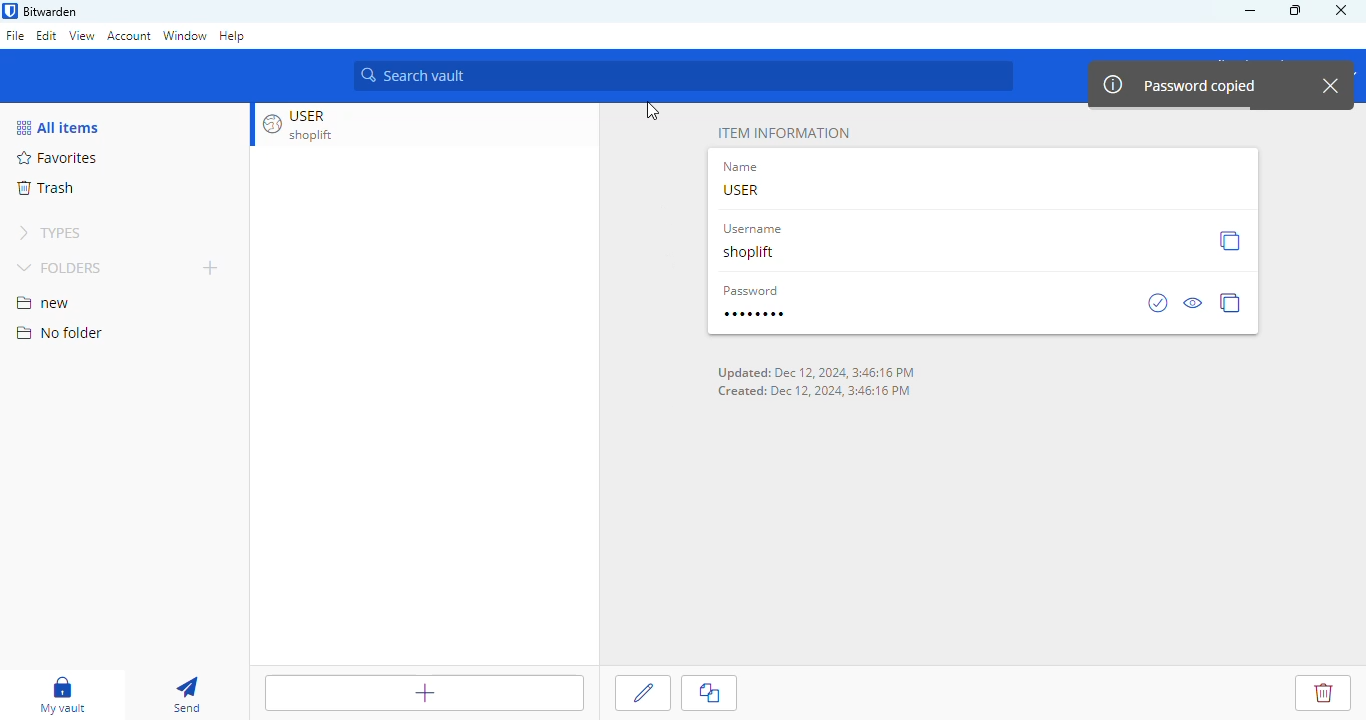 Image resolution: width=1366 pixels, height=720 pixels. Describe the element at coordinates (52, 11) in the screenshot. I see `bitwarden` at that location.